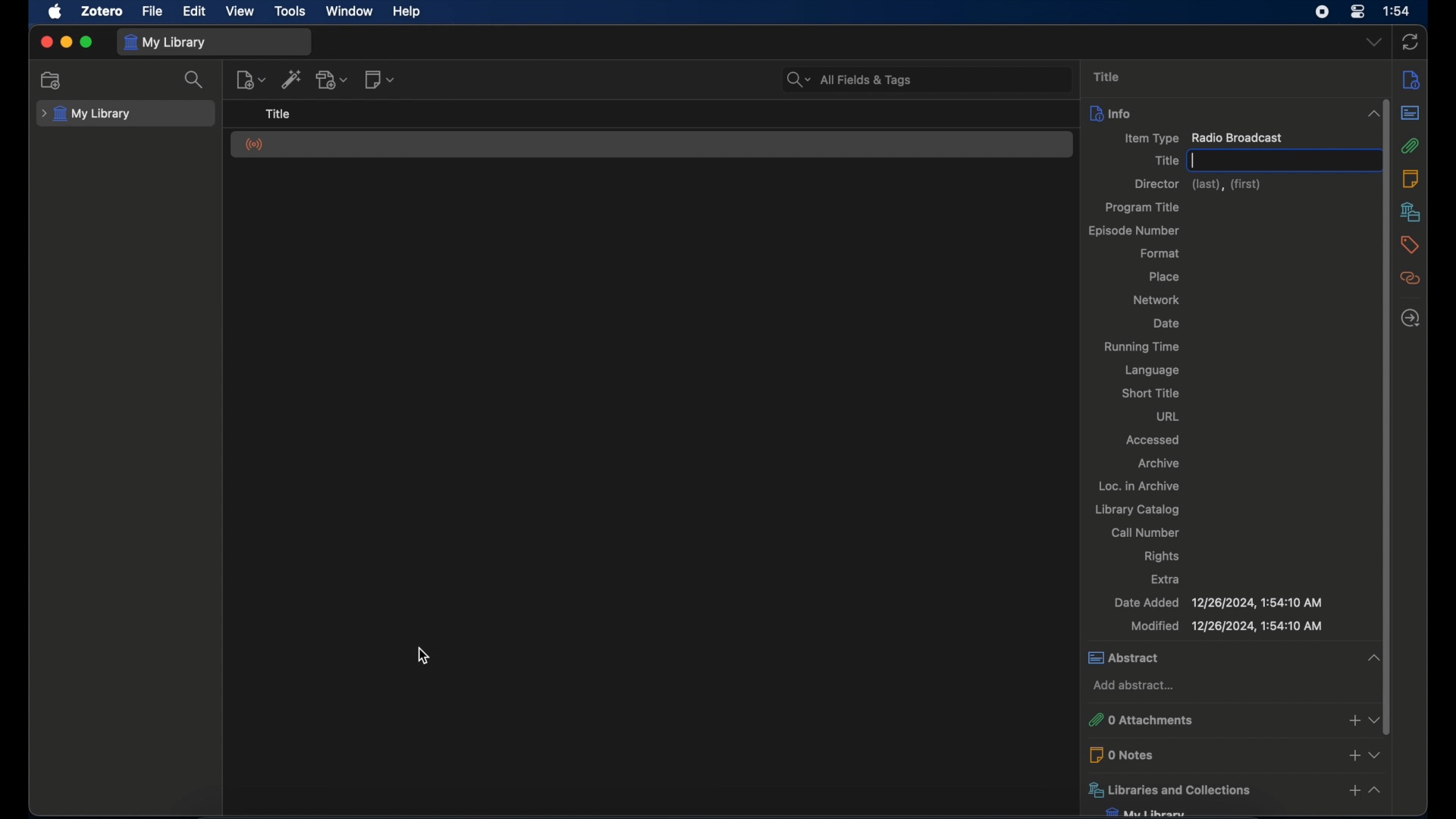 This screenshot has width=1456, height=819. What do you see at coordinates (1410, 79) in the screenshot?
I see `info` at bounding box center [1410, 79].